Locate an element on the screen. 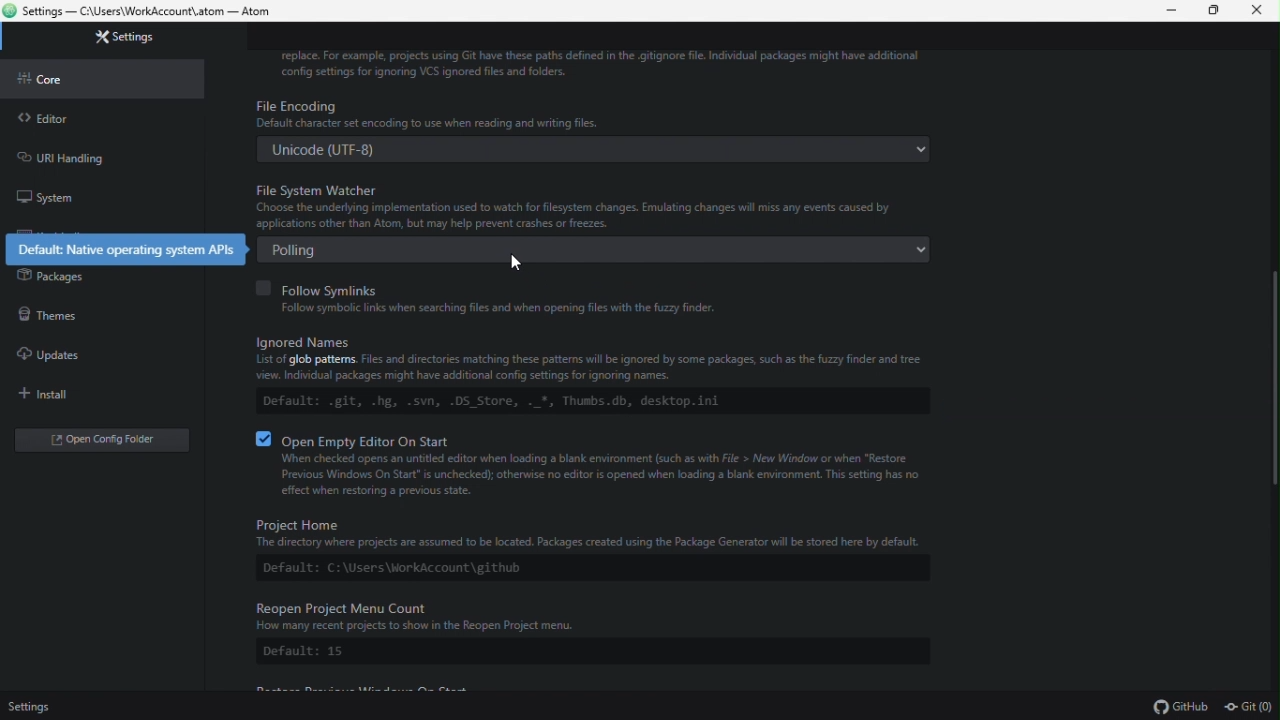 The width and height of the screenshot is (1280, 720). Updates is located at coordinates (92, 354).